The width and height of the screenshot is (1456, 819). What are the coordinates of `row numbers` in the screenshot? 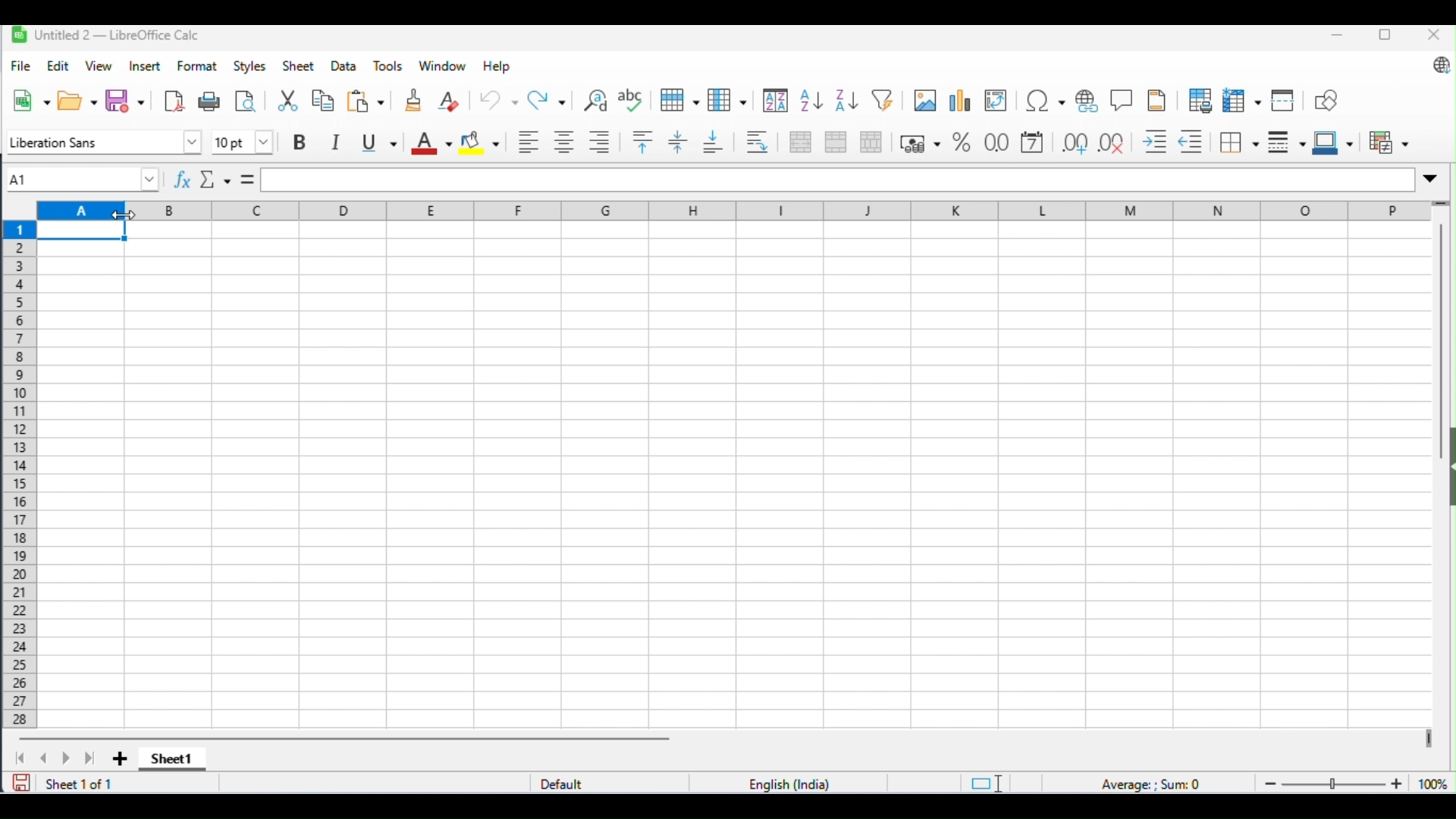 It's located at (18, 474).